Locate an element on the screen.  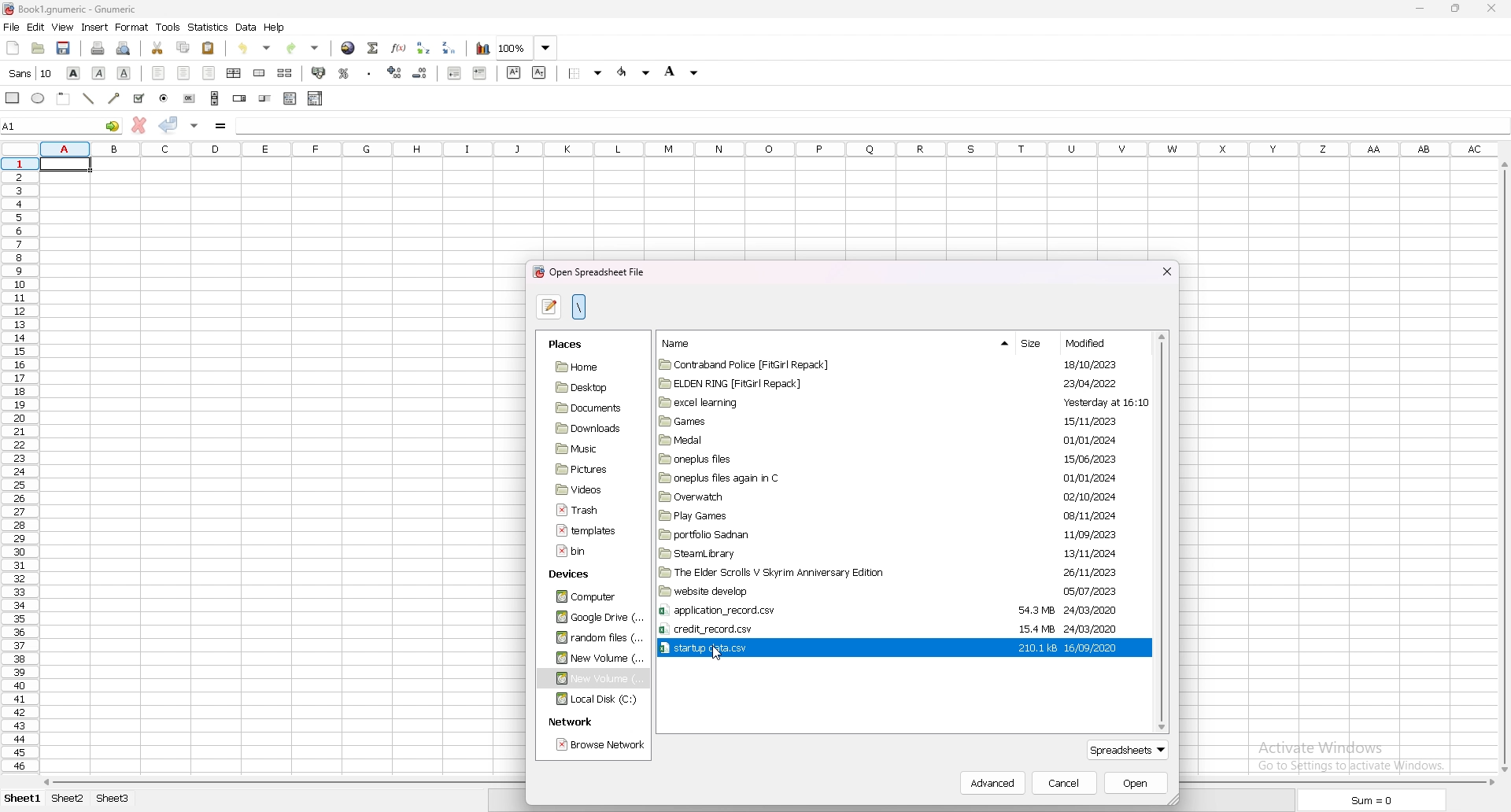
folder is located at coordinates (812, 441).